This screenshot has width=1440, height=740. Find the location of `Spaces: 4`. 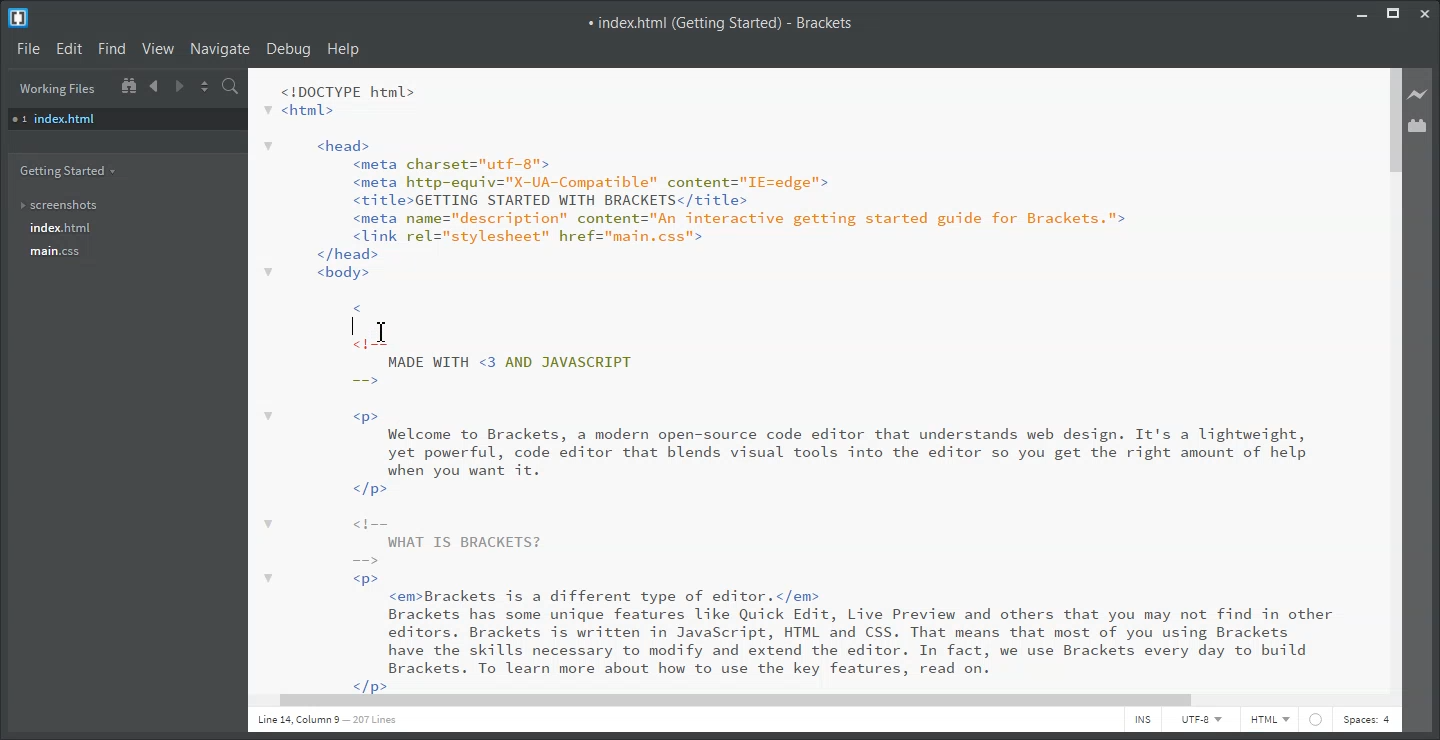

Spaces: 4 is located at coordinates (1367, 721).